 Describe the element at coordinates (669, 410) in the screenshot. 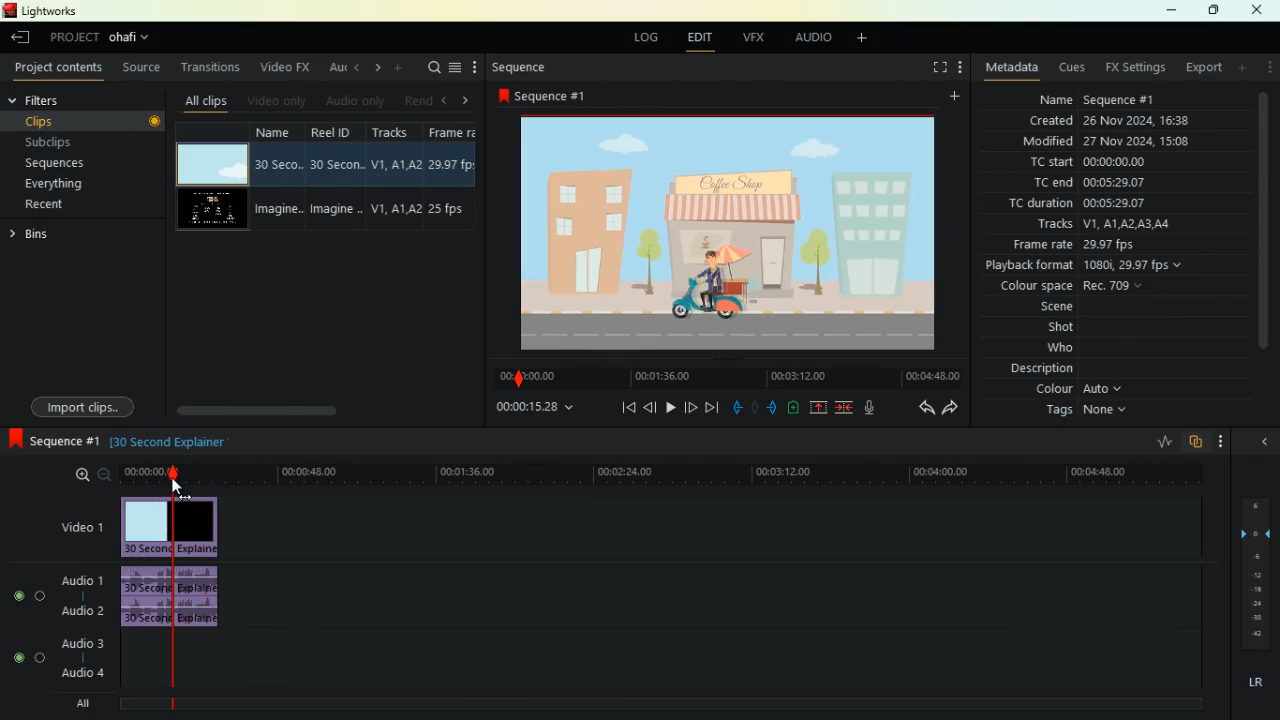

I see `play` at that location.